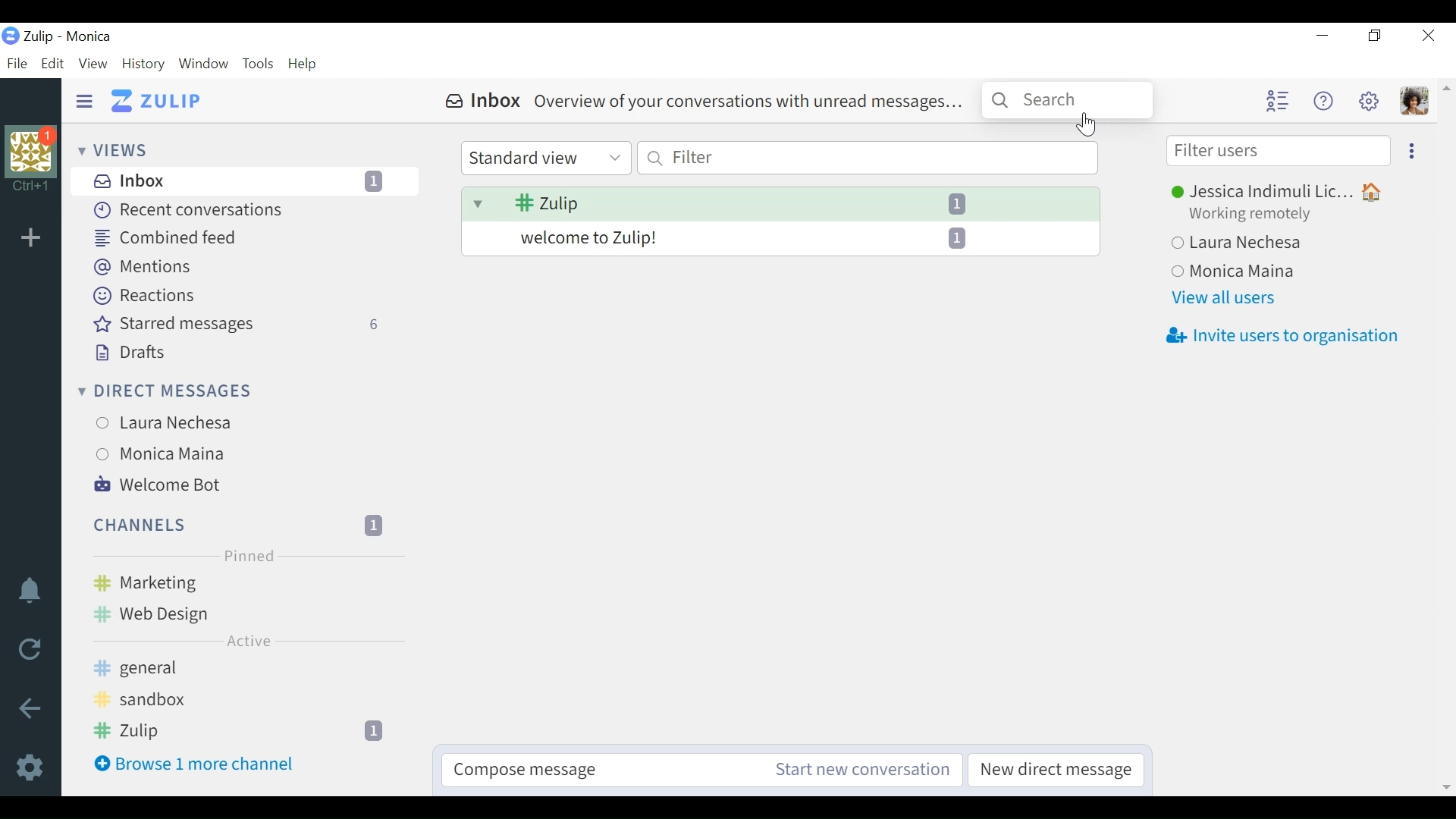 The width and height of the screenshot is (1456, 819). Describe the element at coordinates (1289, 189) in the screenshot. I see `Jessica Indimuli Lic...` at that location.